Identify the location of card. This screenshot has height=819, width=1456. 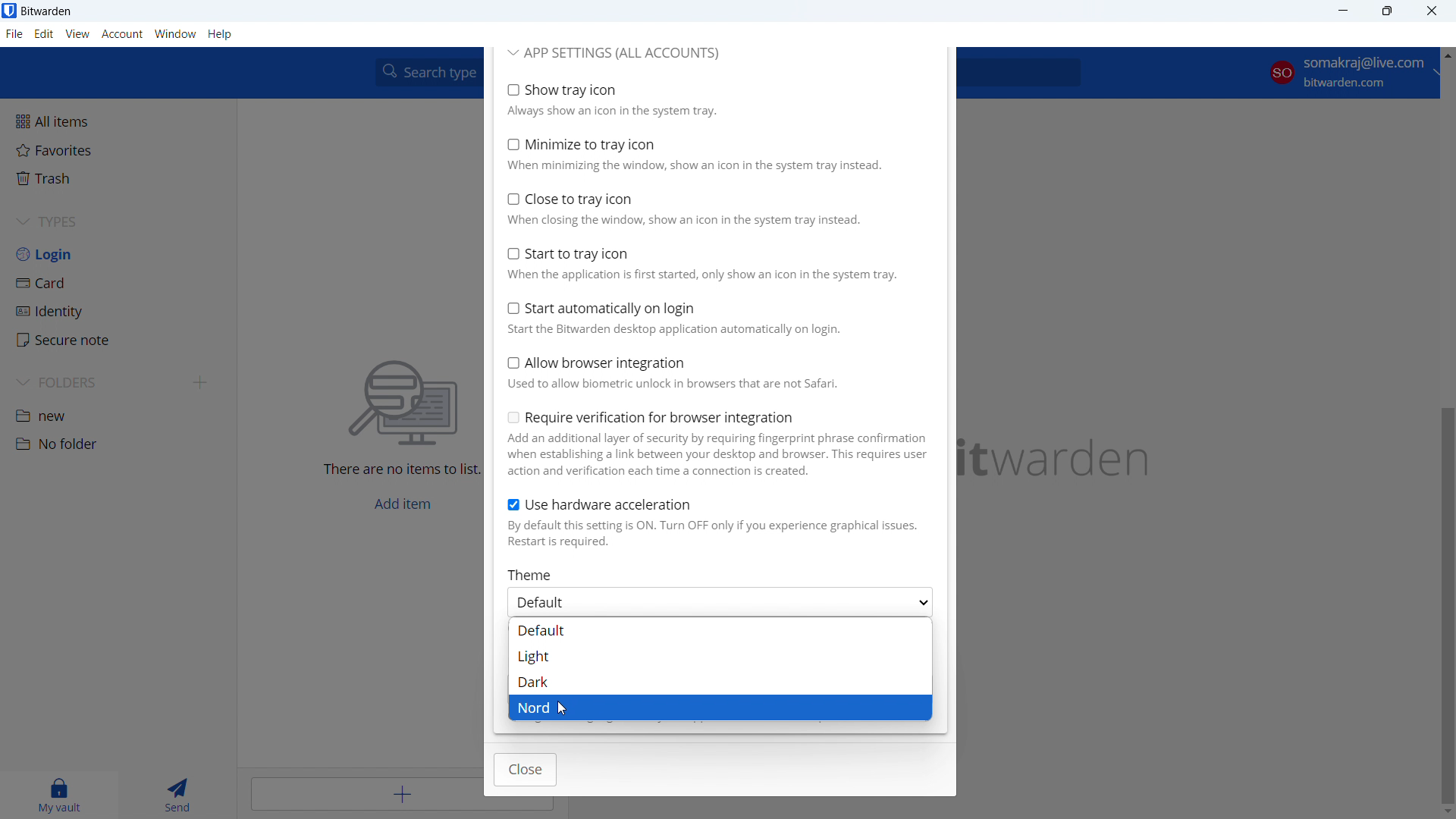
(119, 283).